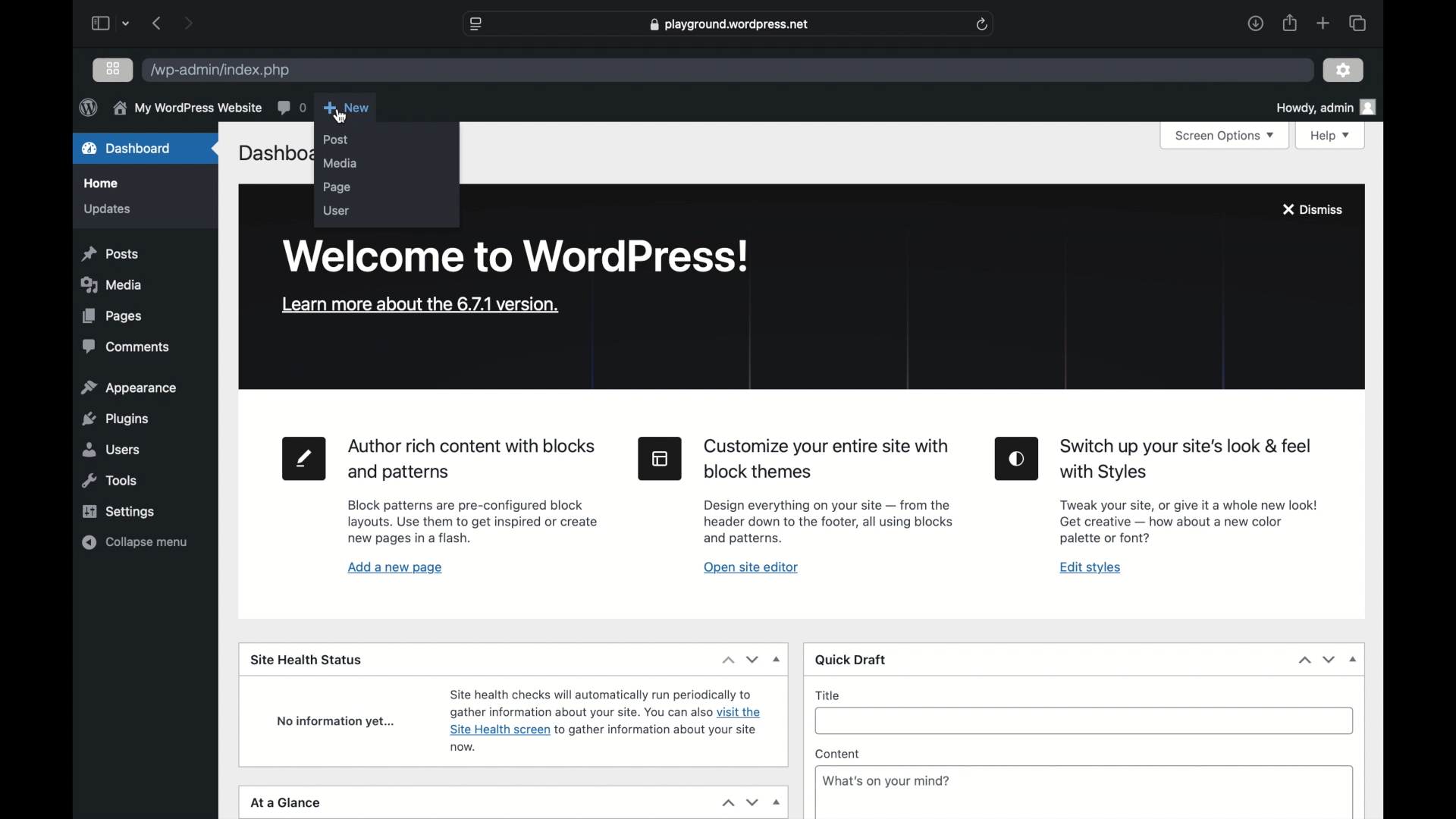 The height and width of the screenshot is (819, 1456). I want to click on plugins, so click(114, 419).